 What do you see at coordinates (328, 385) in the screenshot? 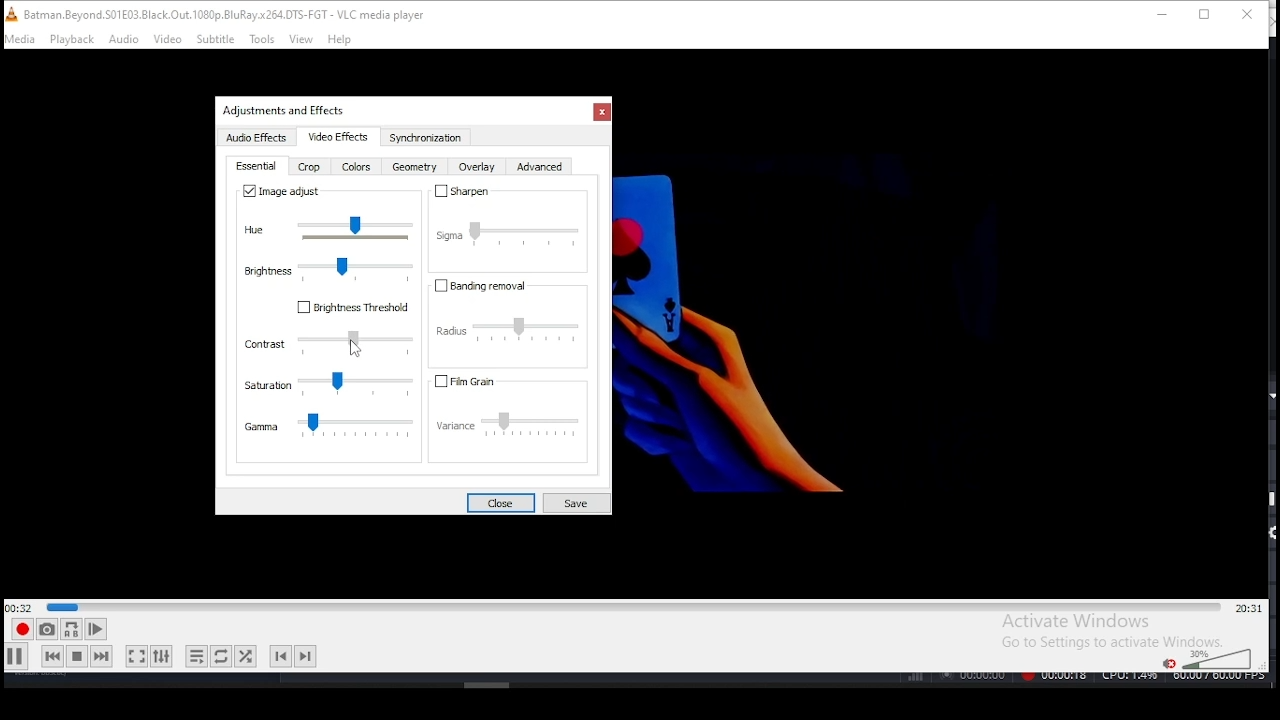
I see `saturation settings slider` at bounding box center [328, 385].